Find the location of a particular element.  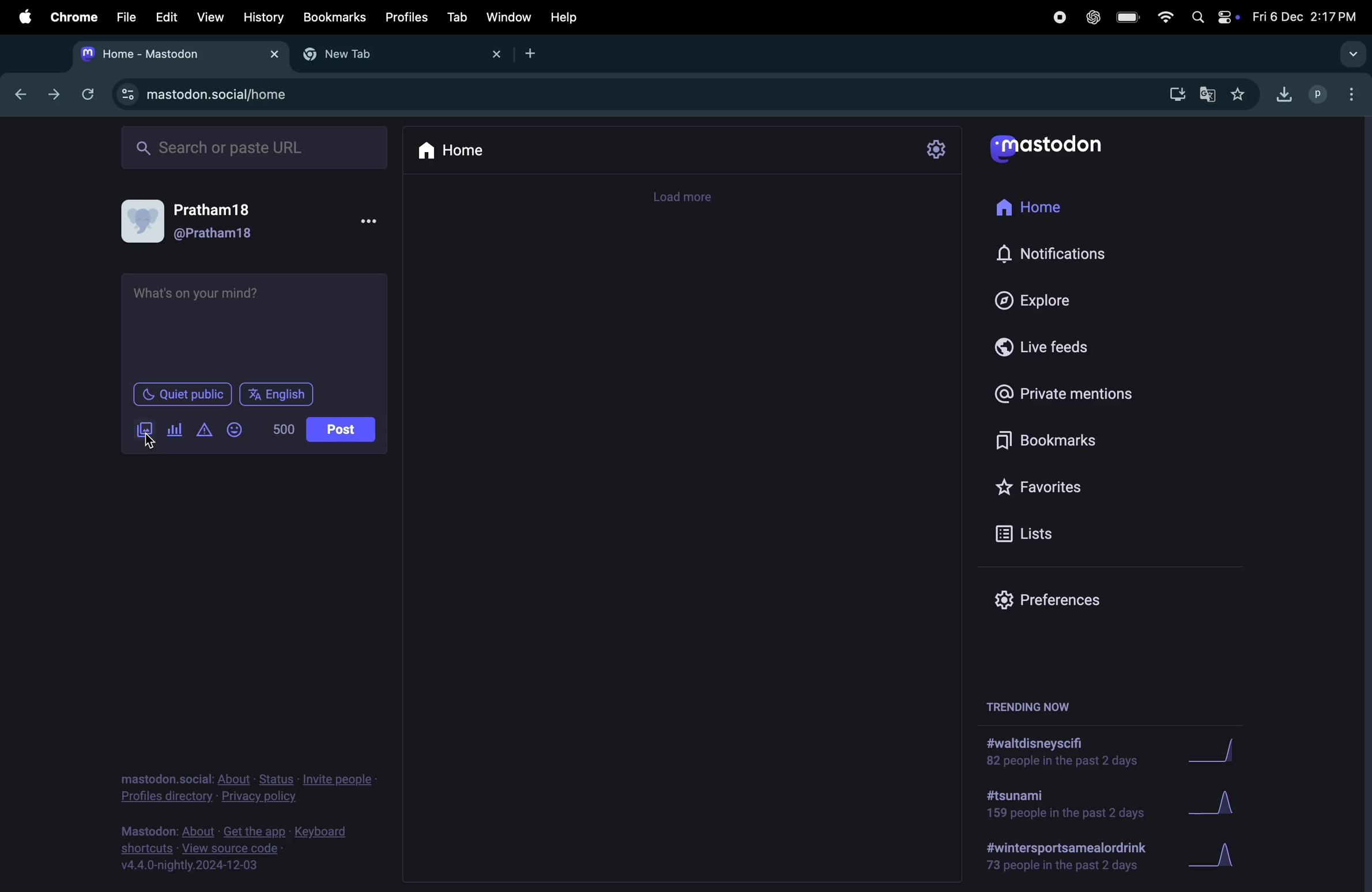

#tsunami is located at coordinates (1062, 803).